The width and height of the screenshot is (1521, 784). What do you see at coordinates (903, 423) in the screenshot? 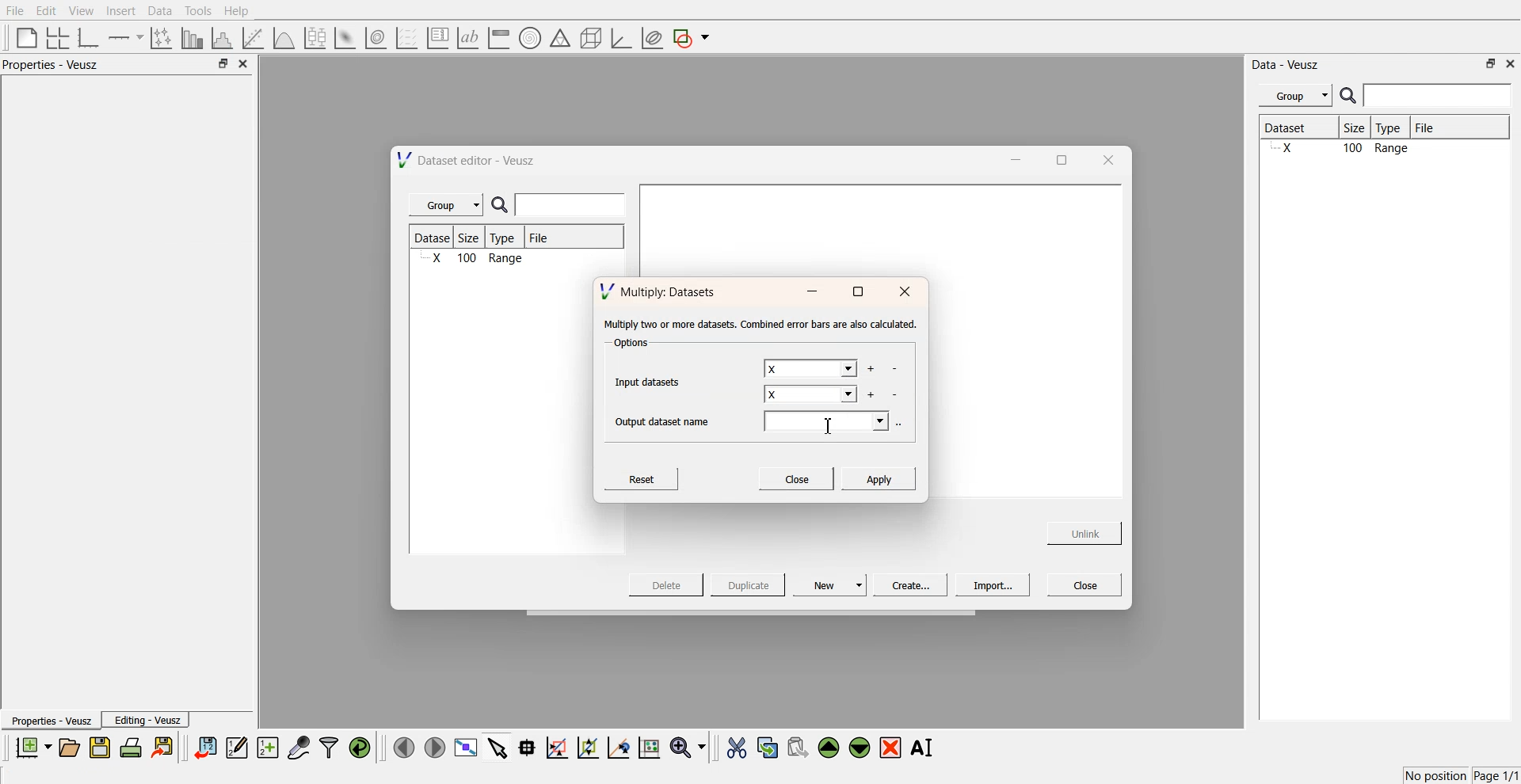
I see `more options` at bounding box center [903, 423].